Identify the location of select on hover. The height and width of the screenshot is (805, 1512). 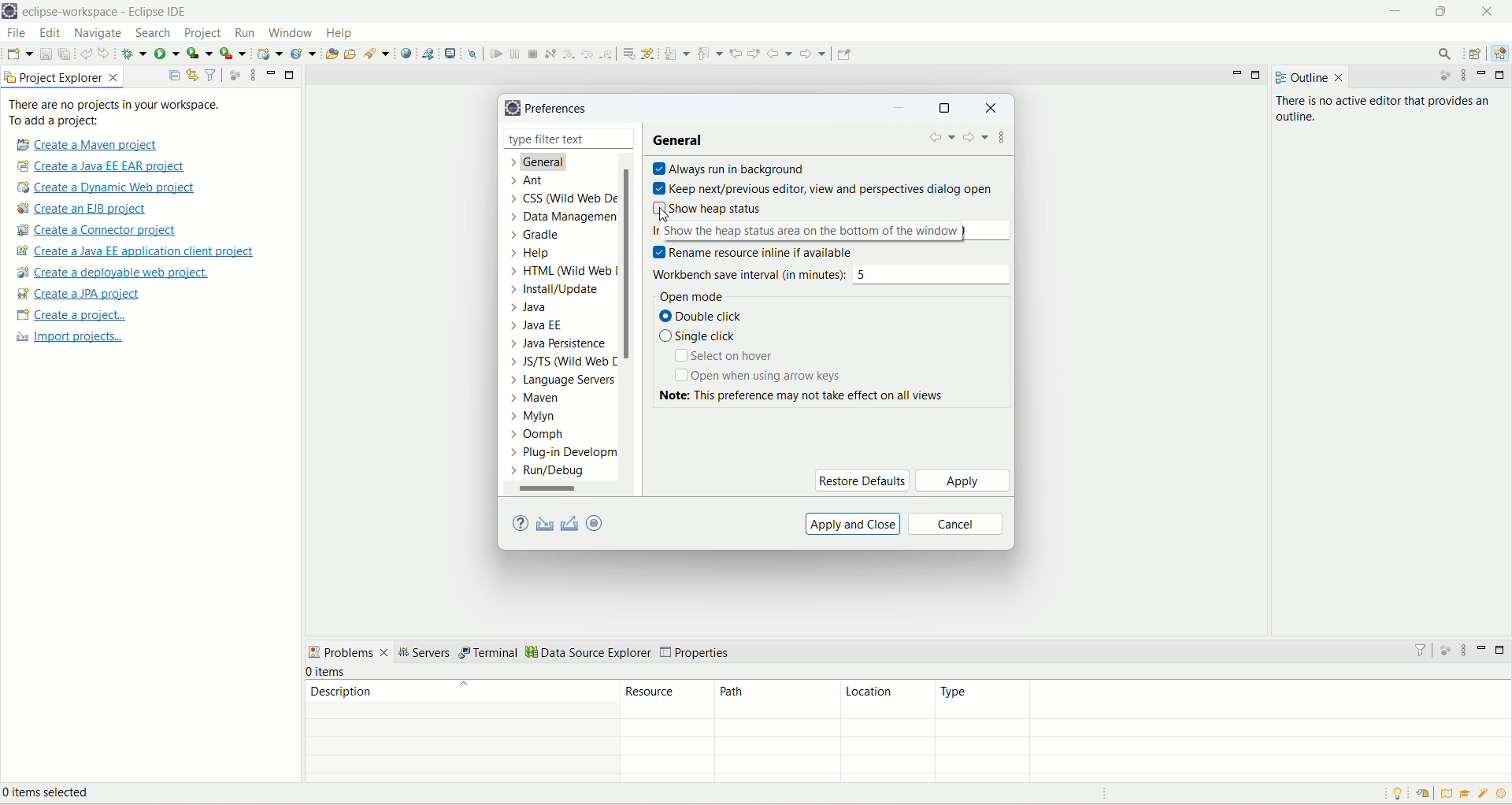
(728, 358).